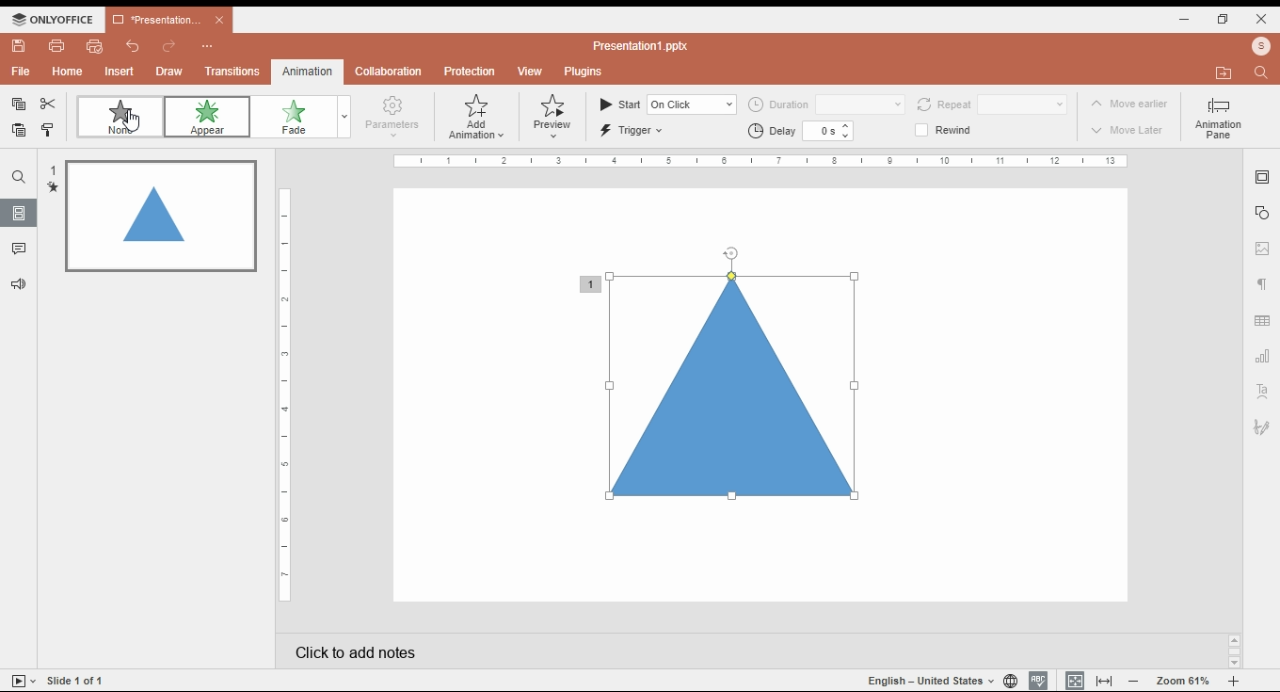 The height and width of the screenshot is (692, 1280). I want to click on preview, so click(554, 116).